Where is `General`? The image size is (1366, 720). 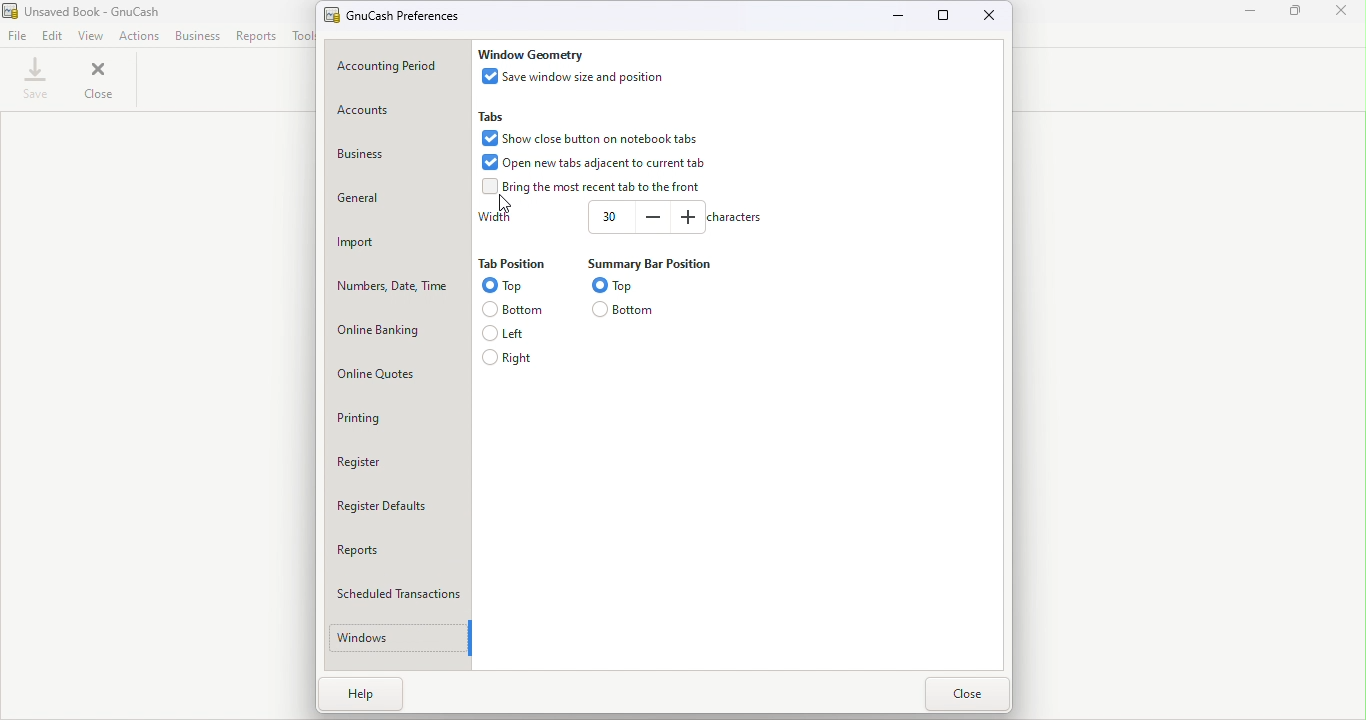 General is located at coordinates (396, 197).